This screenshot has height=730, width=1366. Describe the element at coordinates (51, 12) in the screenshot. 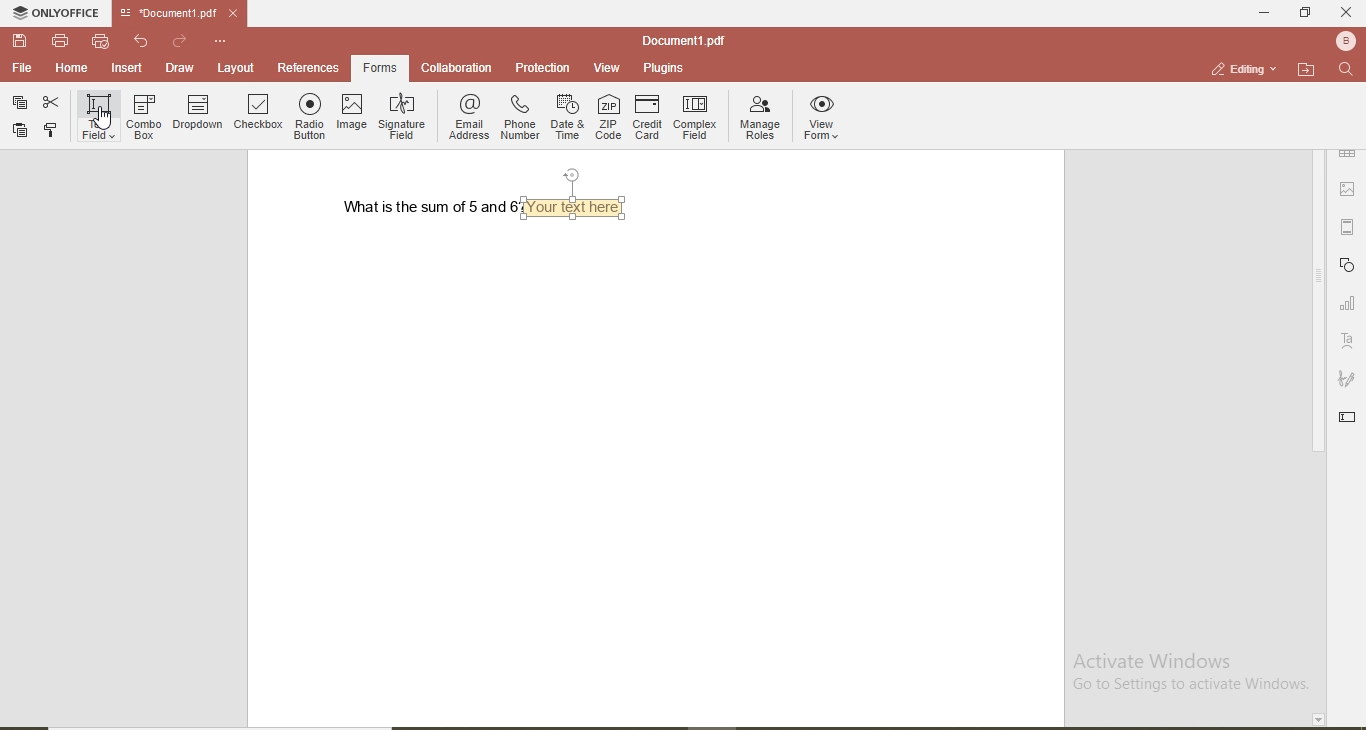

I see `onlyoffice` at that location.